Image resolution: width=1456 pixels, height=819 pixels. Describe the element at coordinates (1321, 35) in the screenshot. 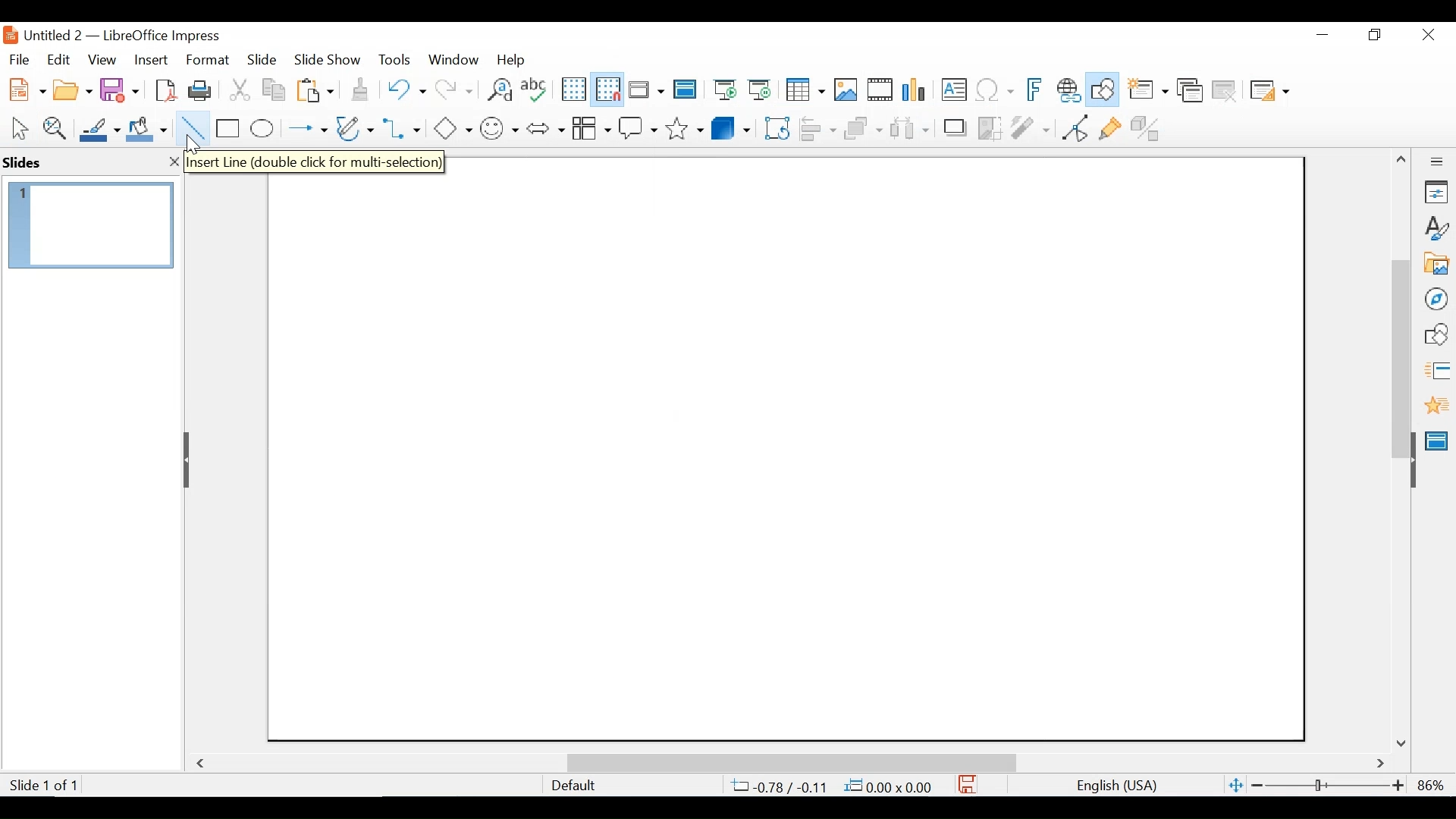

I see `Minimize` at that location.